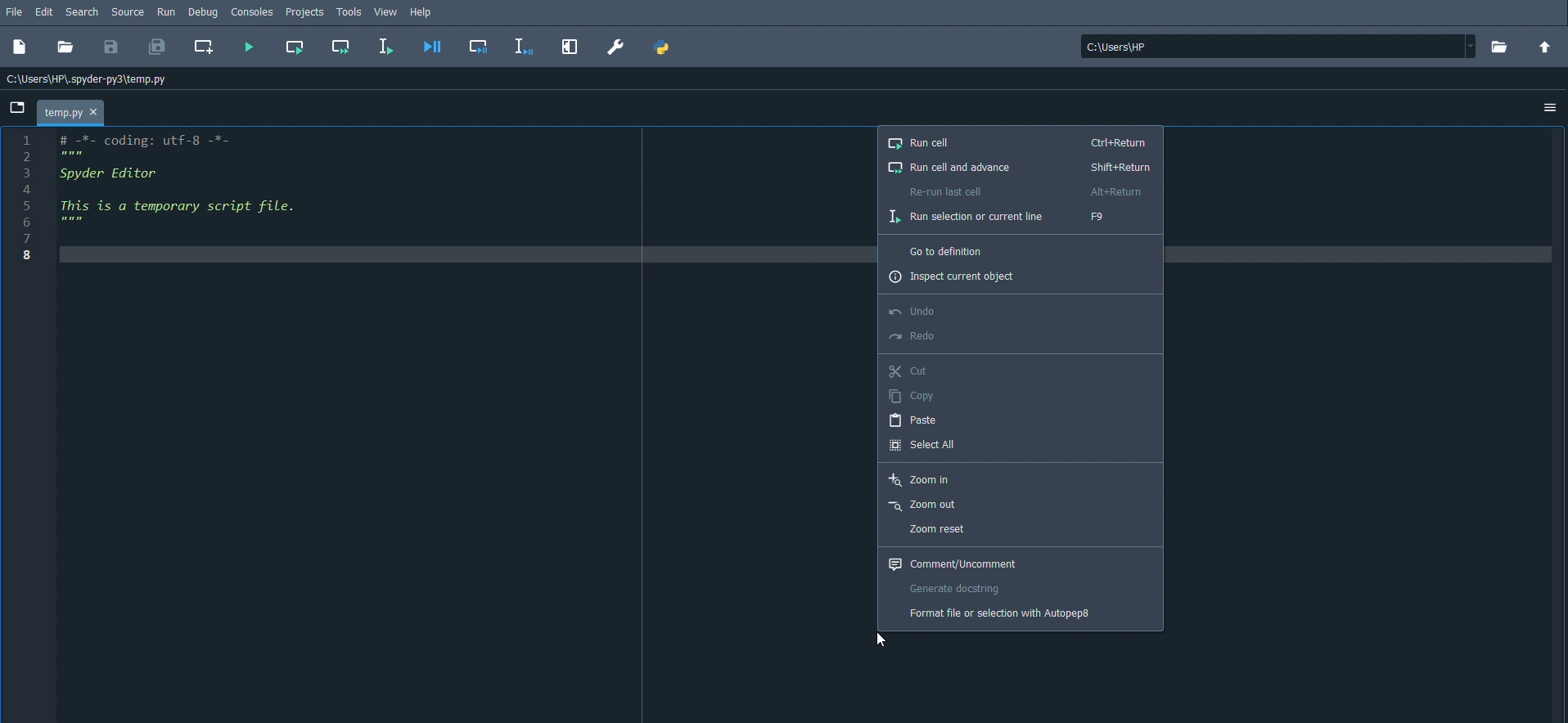 The height and width of the screenshot is (723, 1568). What do you see at coordinates (924, 505) in the screenshot?
I see `Zoom out` at bounding box center [924, 505].